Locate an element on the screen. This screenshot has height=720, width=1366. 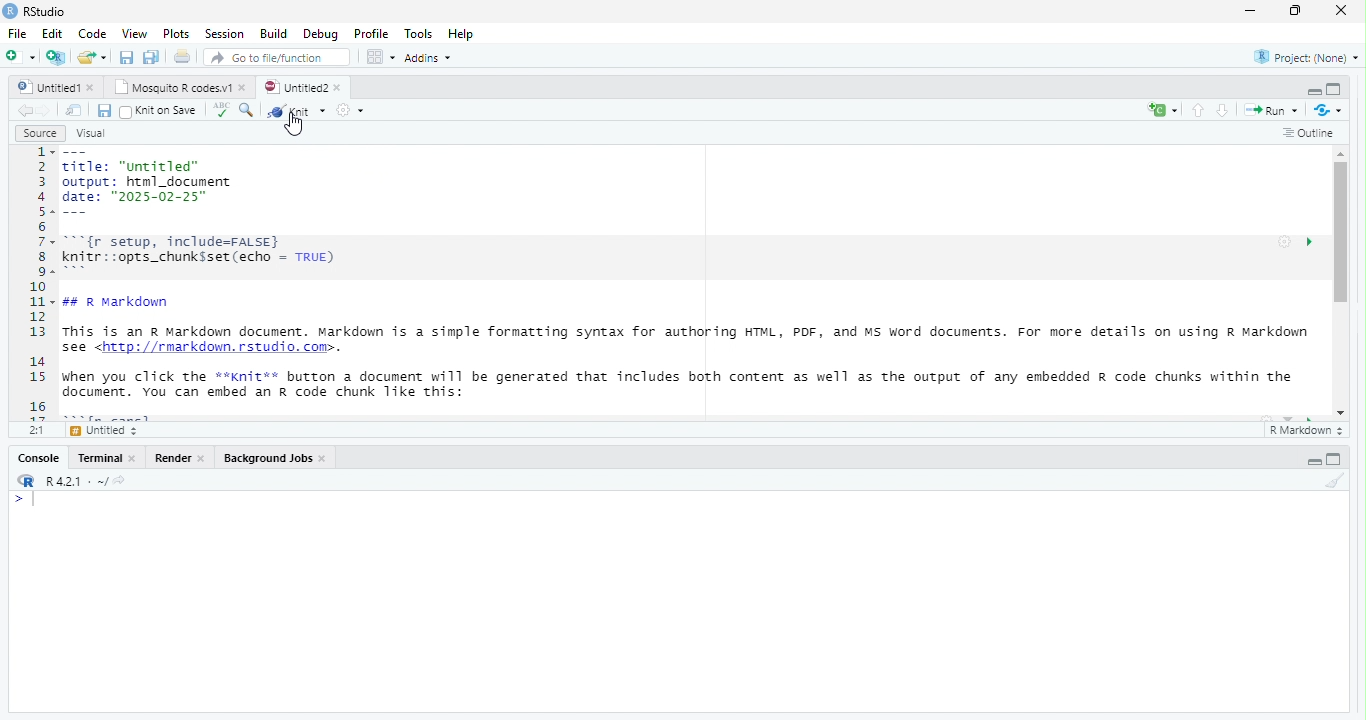
R Markdown is located at coordinates (1308, 431).